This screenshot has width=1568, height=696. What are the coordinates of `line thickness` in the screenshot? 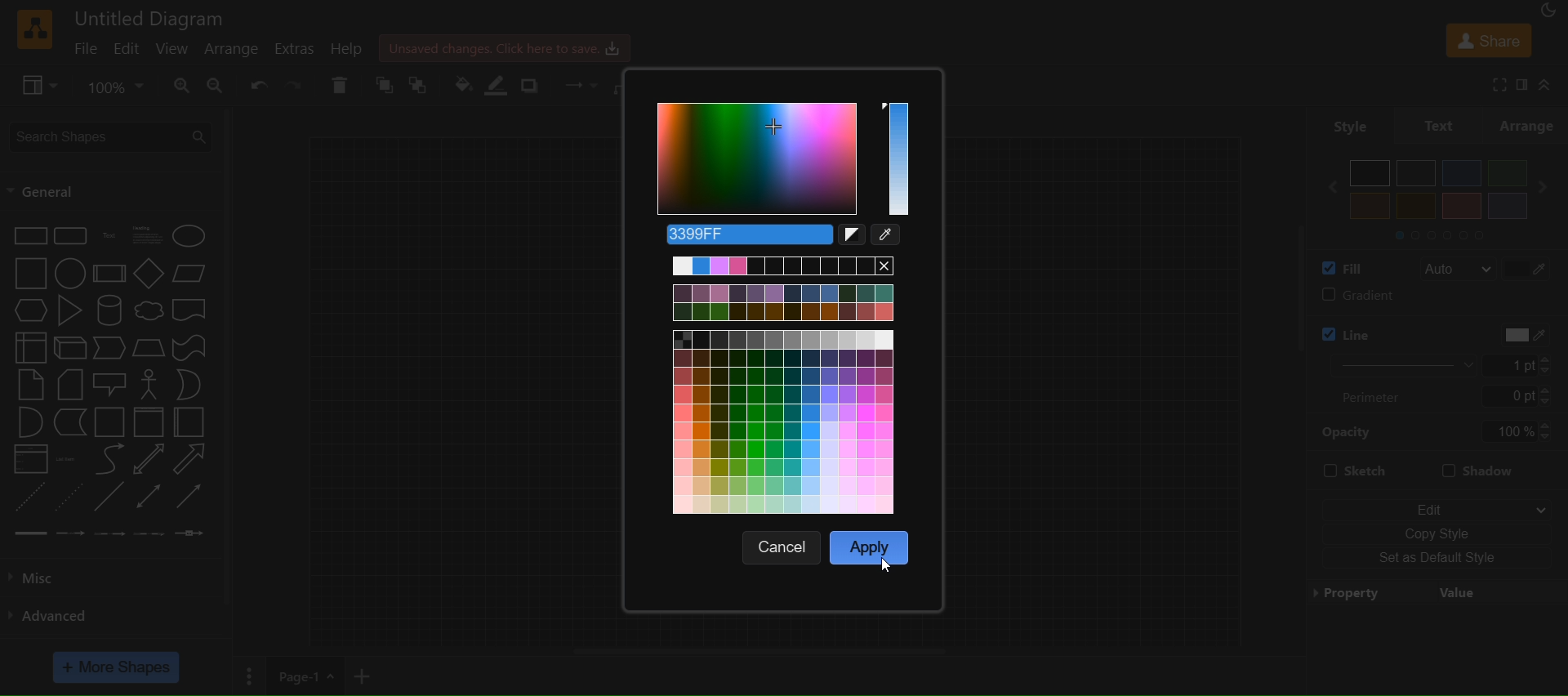 It's located at (1392, 364).